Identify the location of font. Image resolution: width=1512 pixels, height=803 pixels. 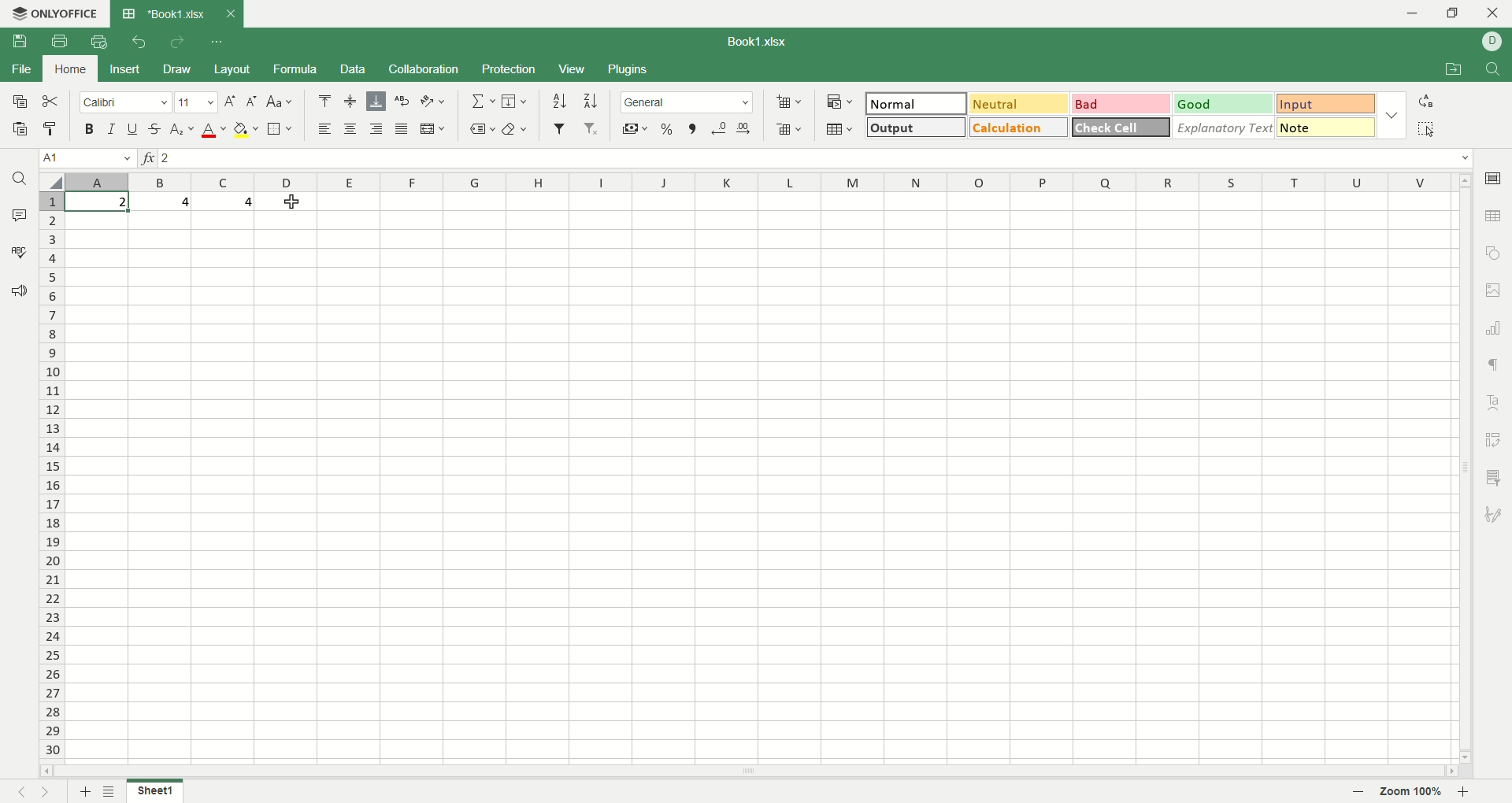
(124, 102).